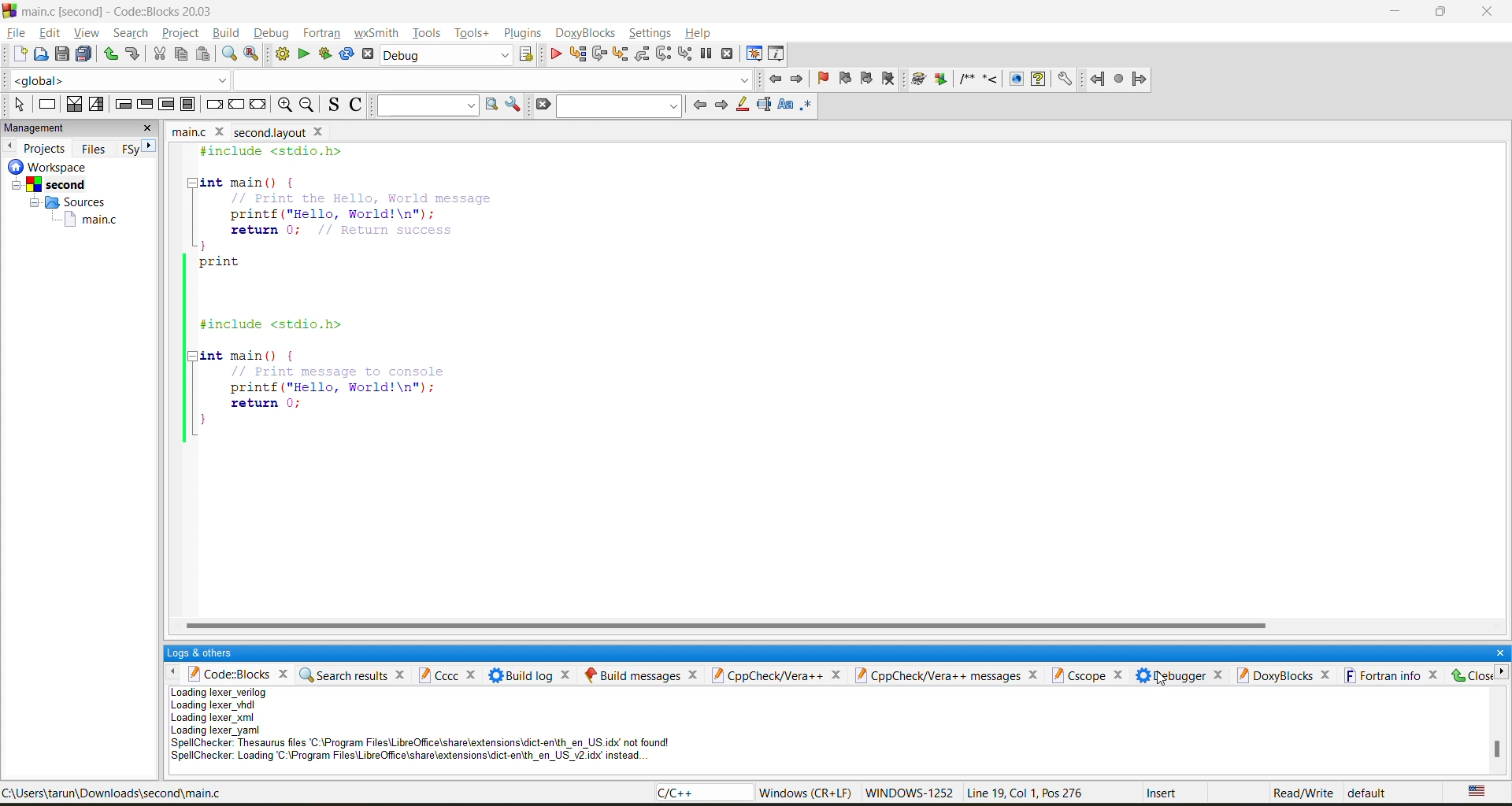 The height and width of the screenshot is (806, 1512). I want to click on workspace, so click(76, 200).